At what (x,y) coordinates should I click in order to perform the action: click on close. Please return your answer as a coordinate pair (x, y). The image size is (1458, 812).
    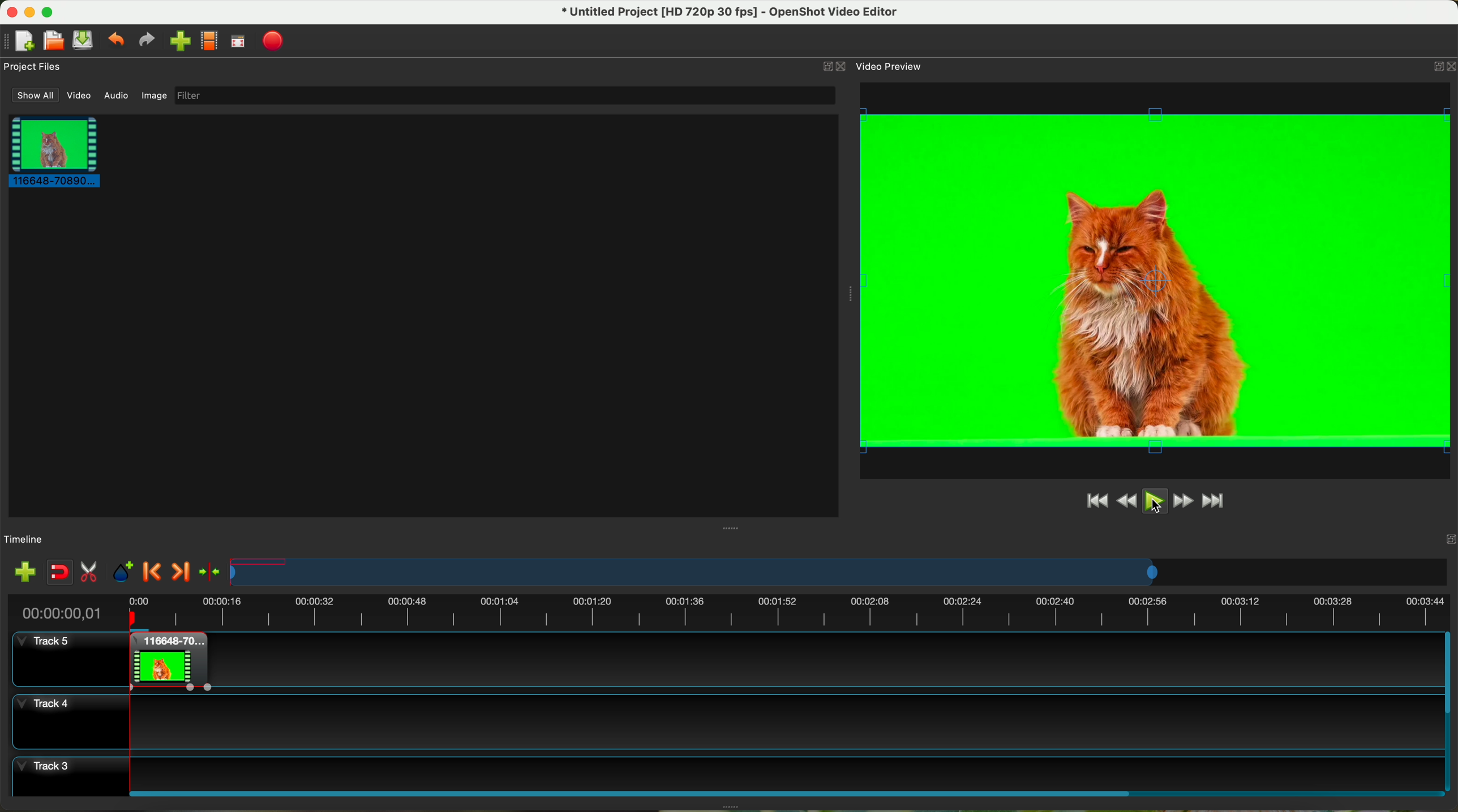
    Looking at the image, I should click on (835, 67).